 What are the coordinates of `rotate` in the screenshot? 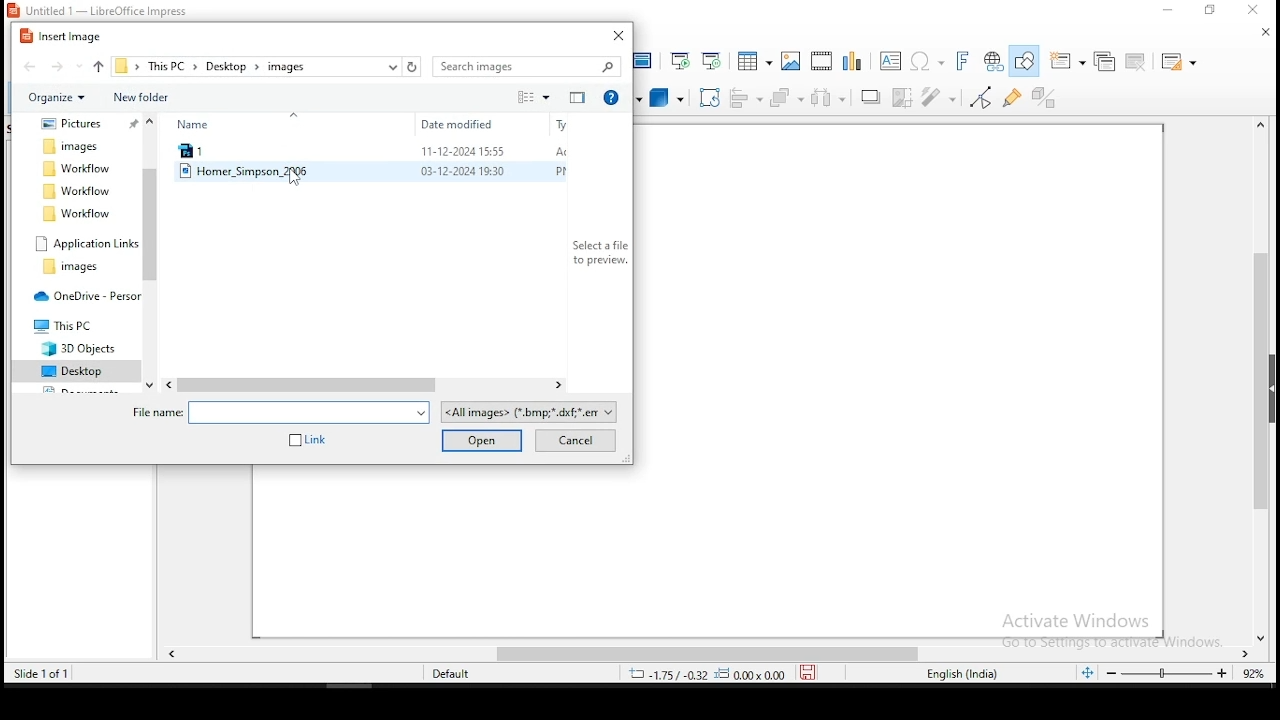 It's located at (708, 96).